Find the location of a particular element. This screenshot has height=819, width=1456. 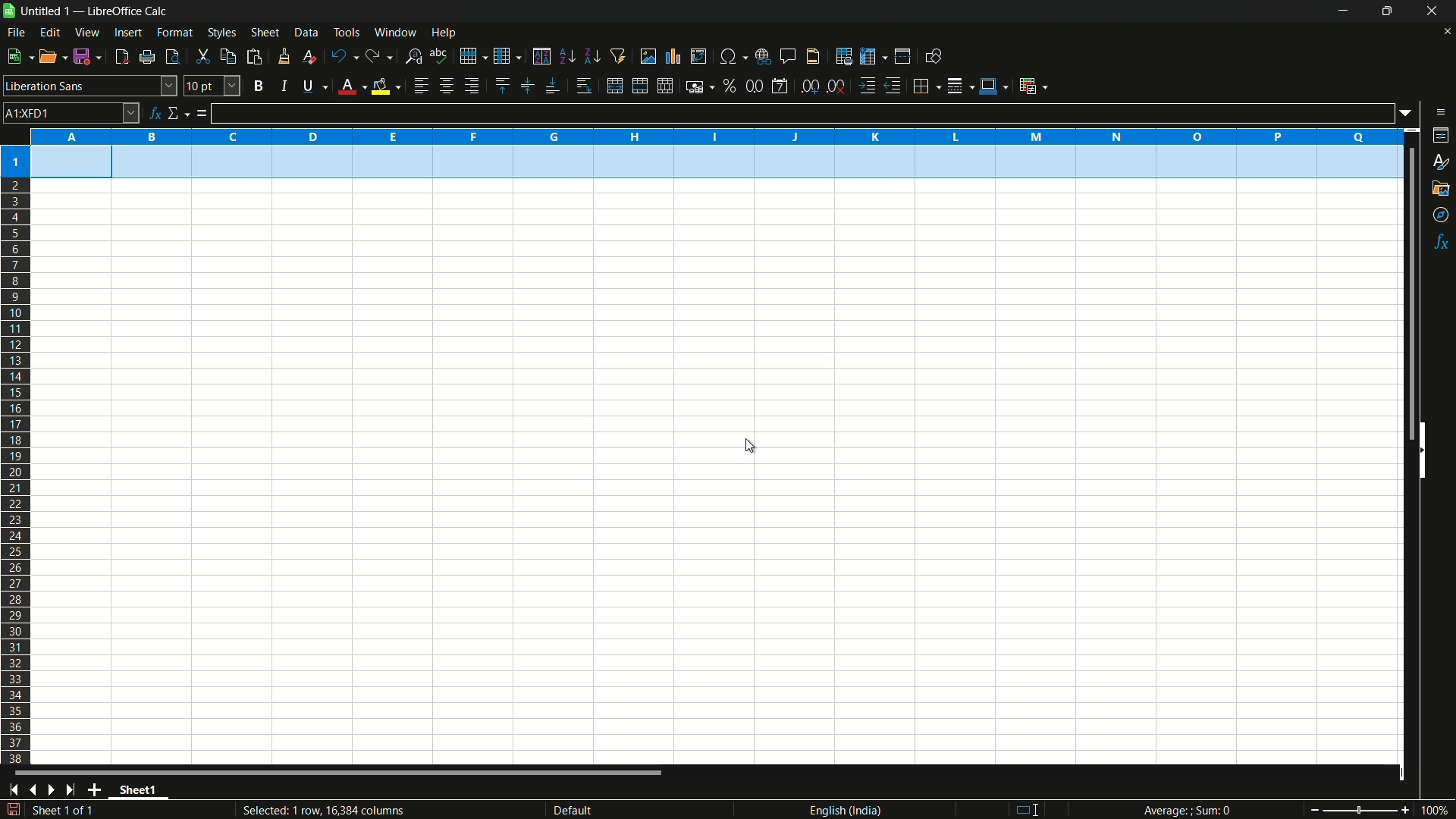

font size is located at coordinates (212, 86).